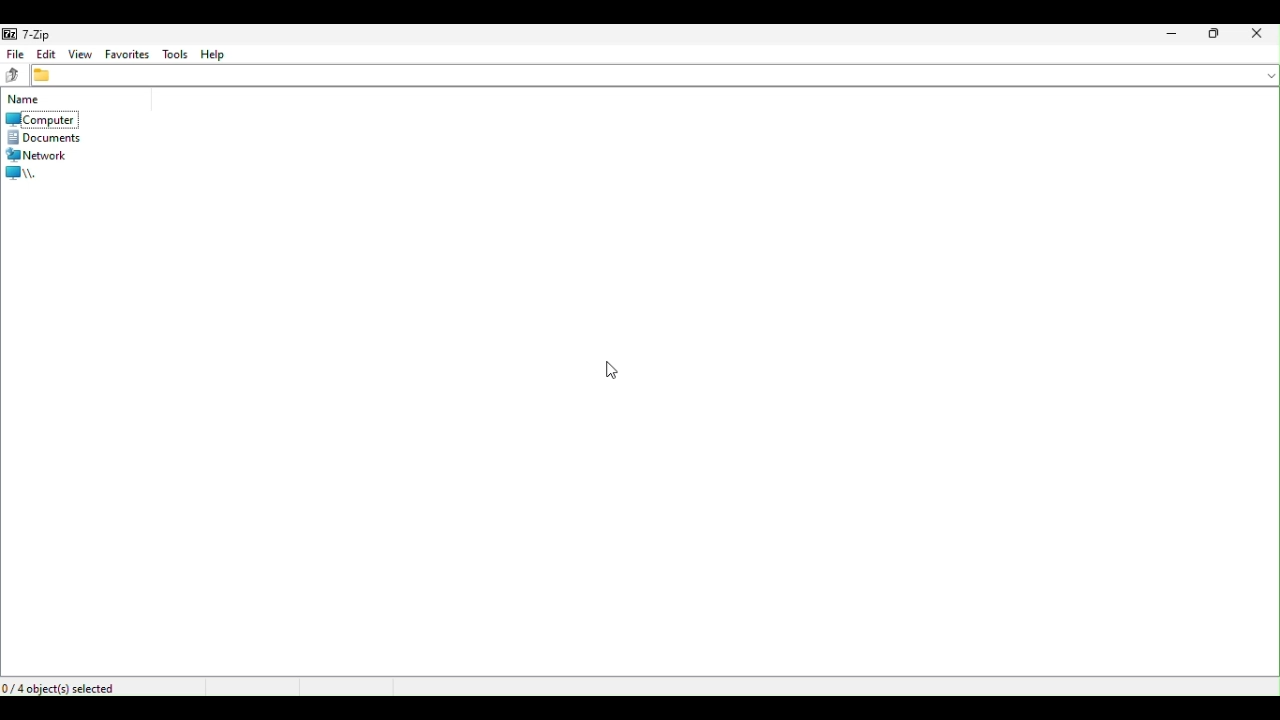 Image resolution: width=1280 pixels, height=720 pixels. I want to click on Tools, so click(175, 56).